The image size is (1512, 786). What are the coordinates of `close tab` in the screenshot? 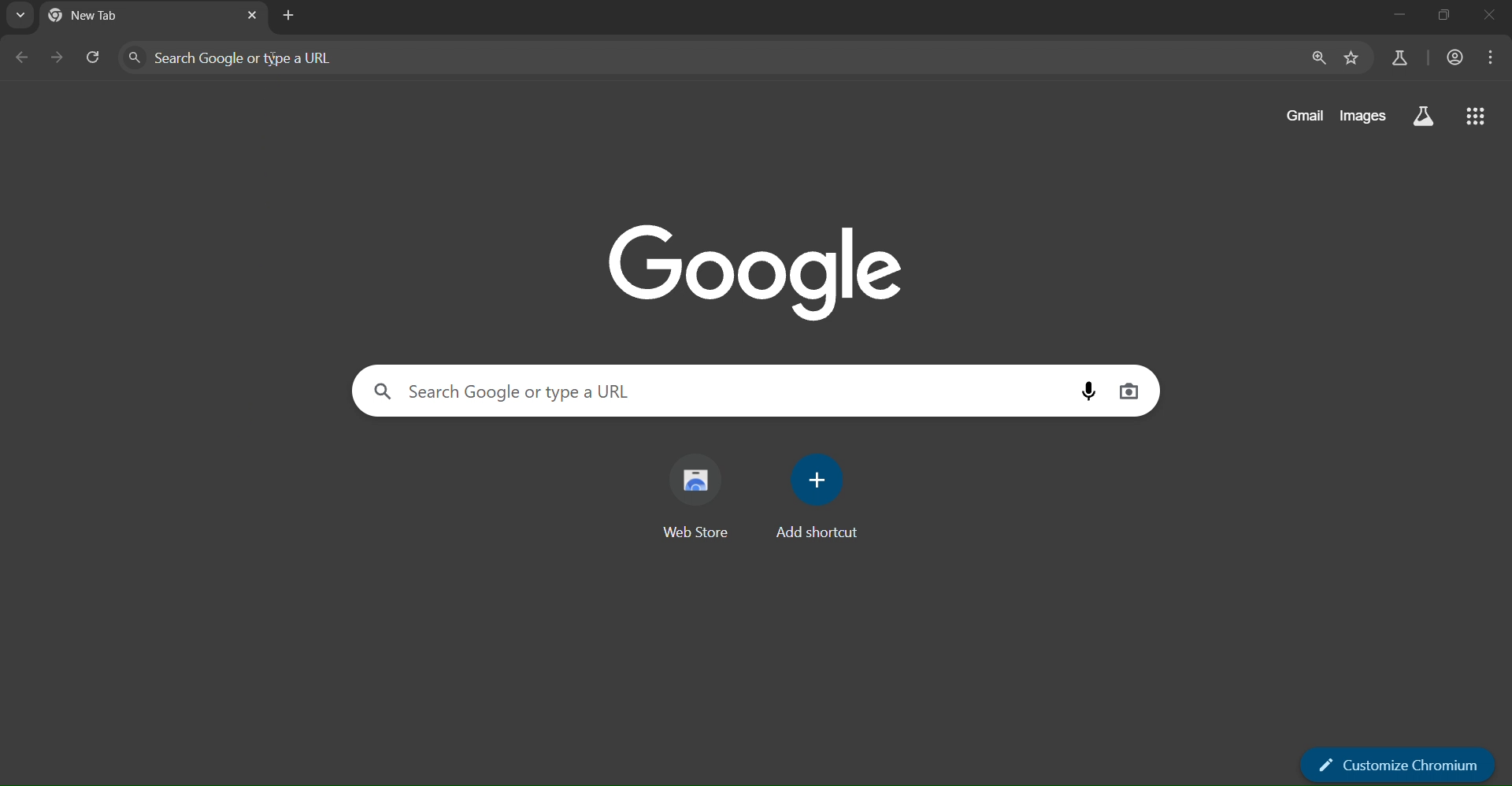 It's located at (252, 15).